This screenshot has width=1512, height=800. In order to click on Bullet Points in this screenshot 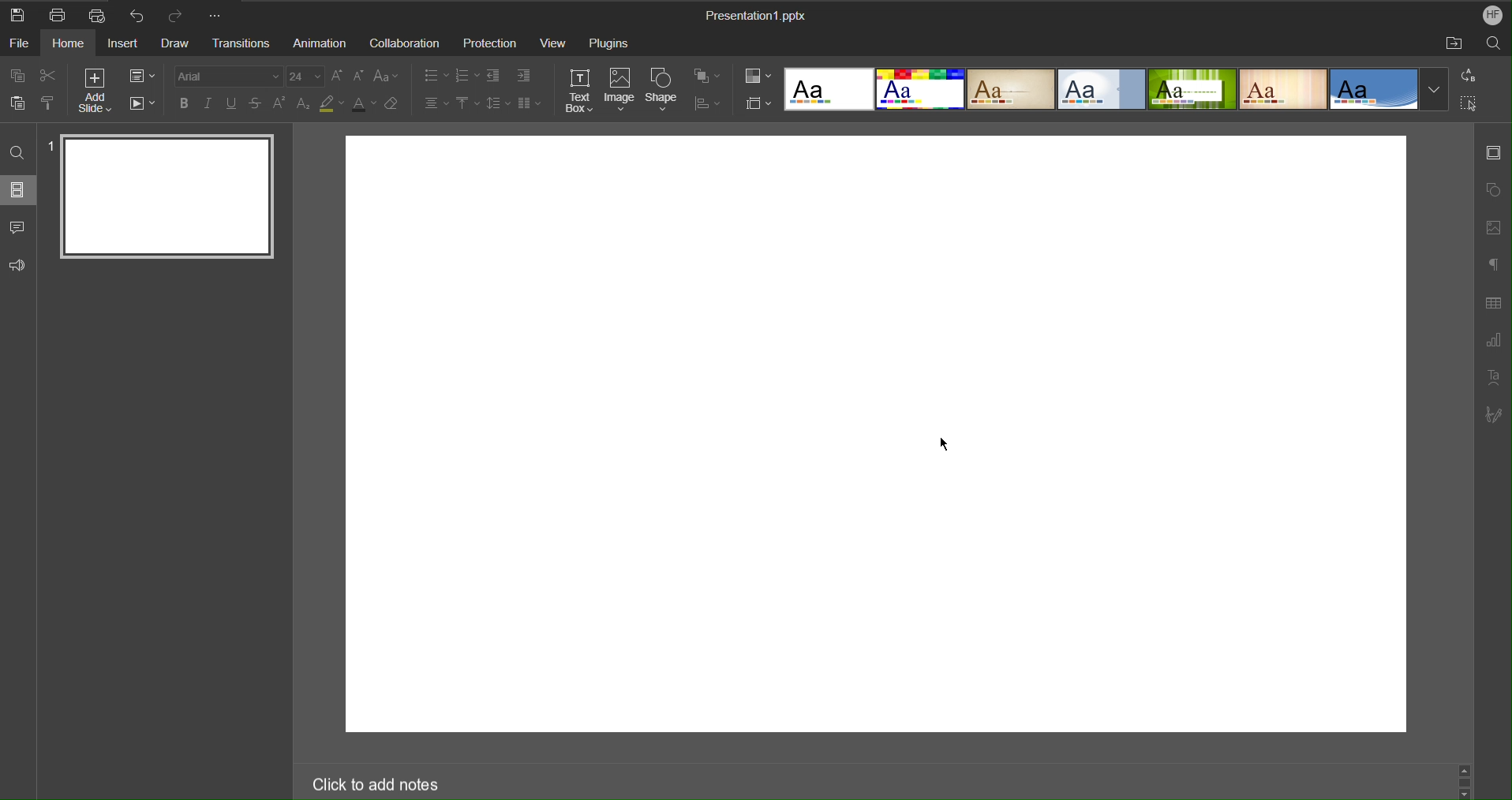, I will do `click(436, 75)`.